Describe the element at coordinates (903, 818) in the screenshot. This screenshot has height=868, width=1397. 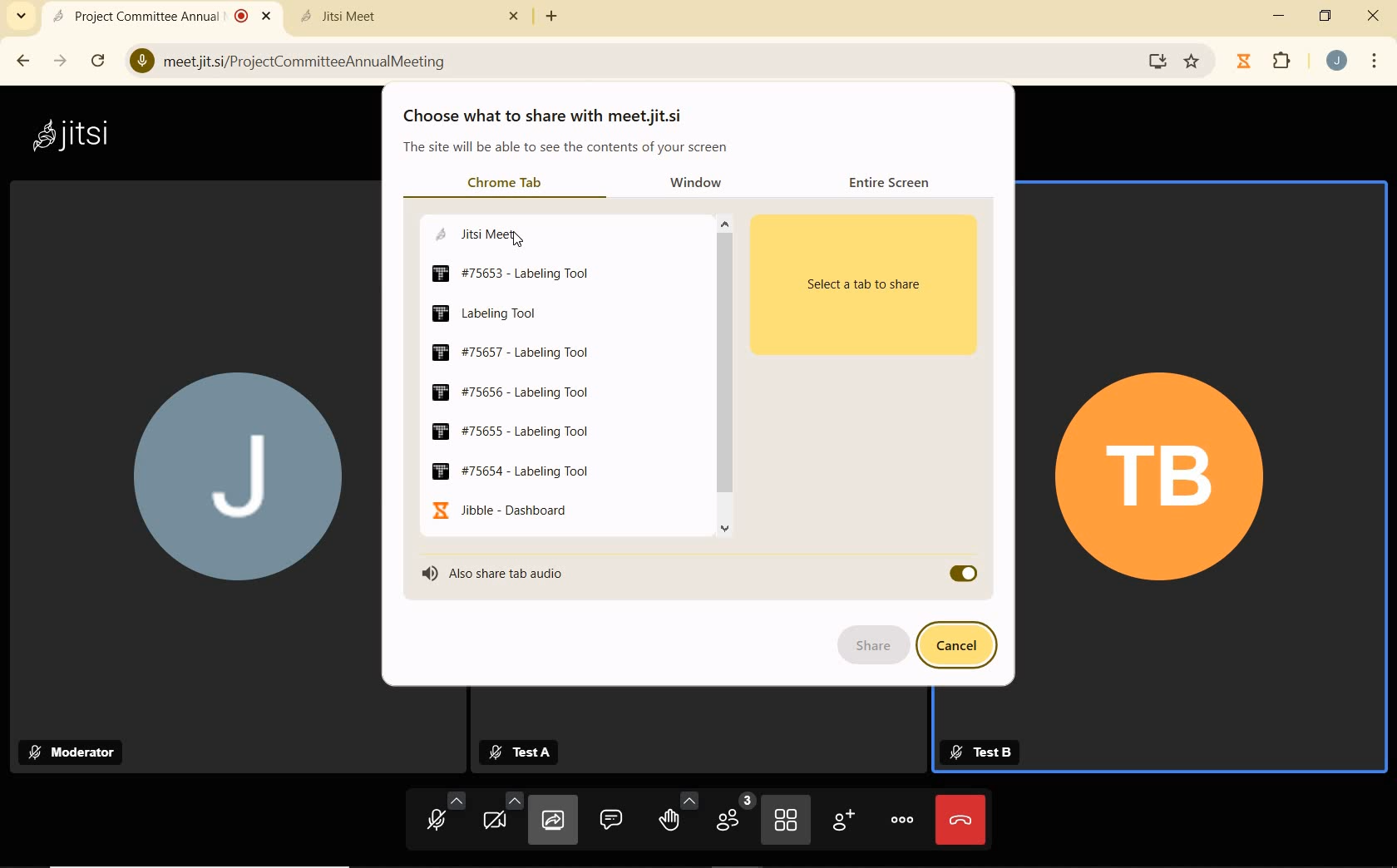
I see `MORE ACTIONS` at that location.